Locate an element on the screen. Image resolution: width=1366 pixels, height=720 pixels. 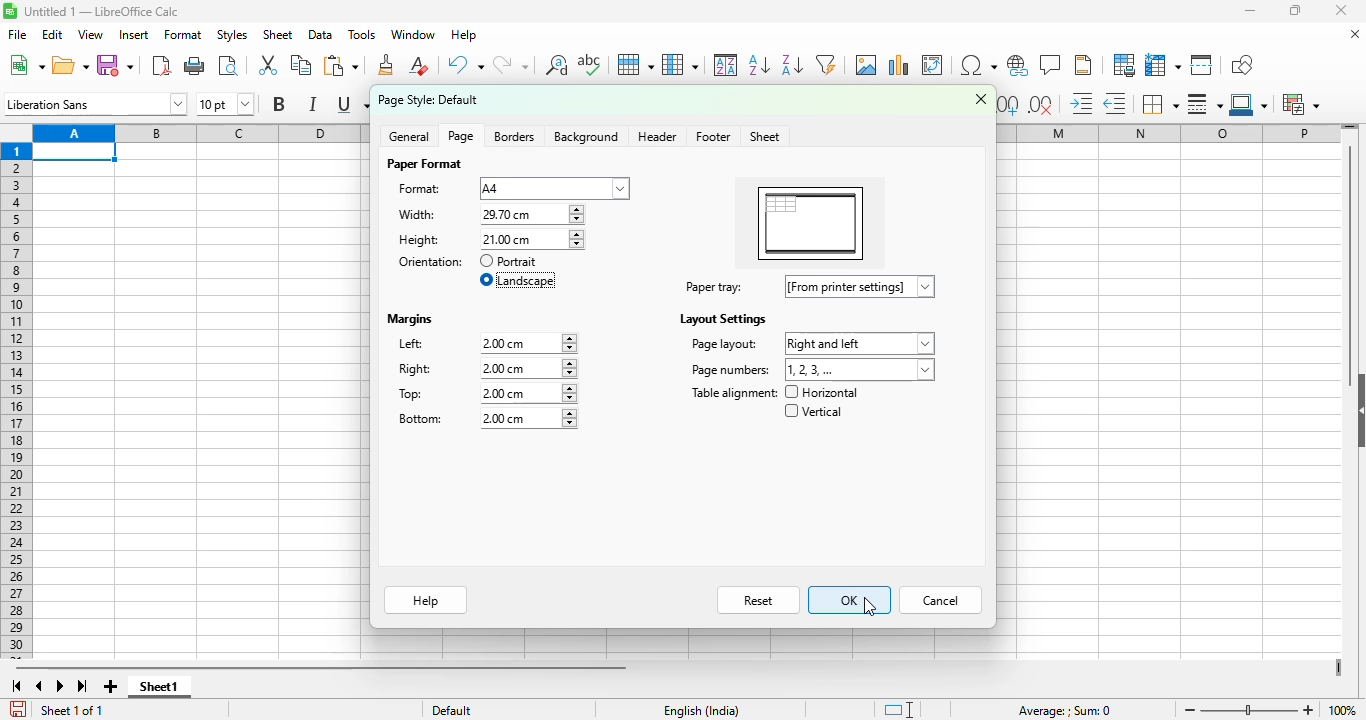
insert chart is located at coordinates (898, 65).